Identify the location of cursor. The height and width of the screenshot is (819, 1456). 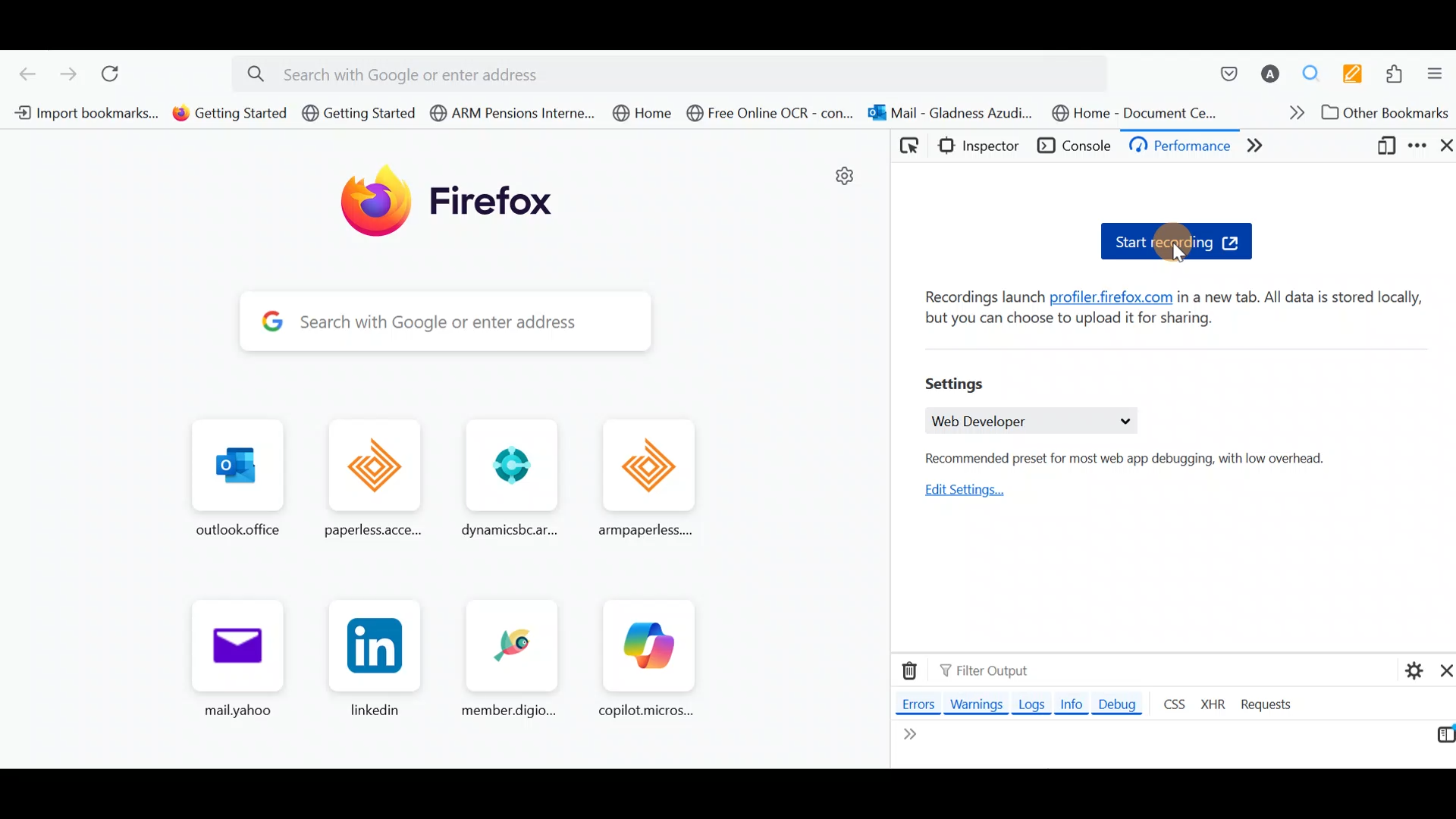
(1177, 257).